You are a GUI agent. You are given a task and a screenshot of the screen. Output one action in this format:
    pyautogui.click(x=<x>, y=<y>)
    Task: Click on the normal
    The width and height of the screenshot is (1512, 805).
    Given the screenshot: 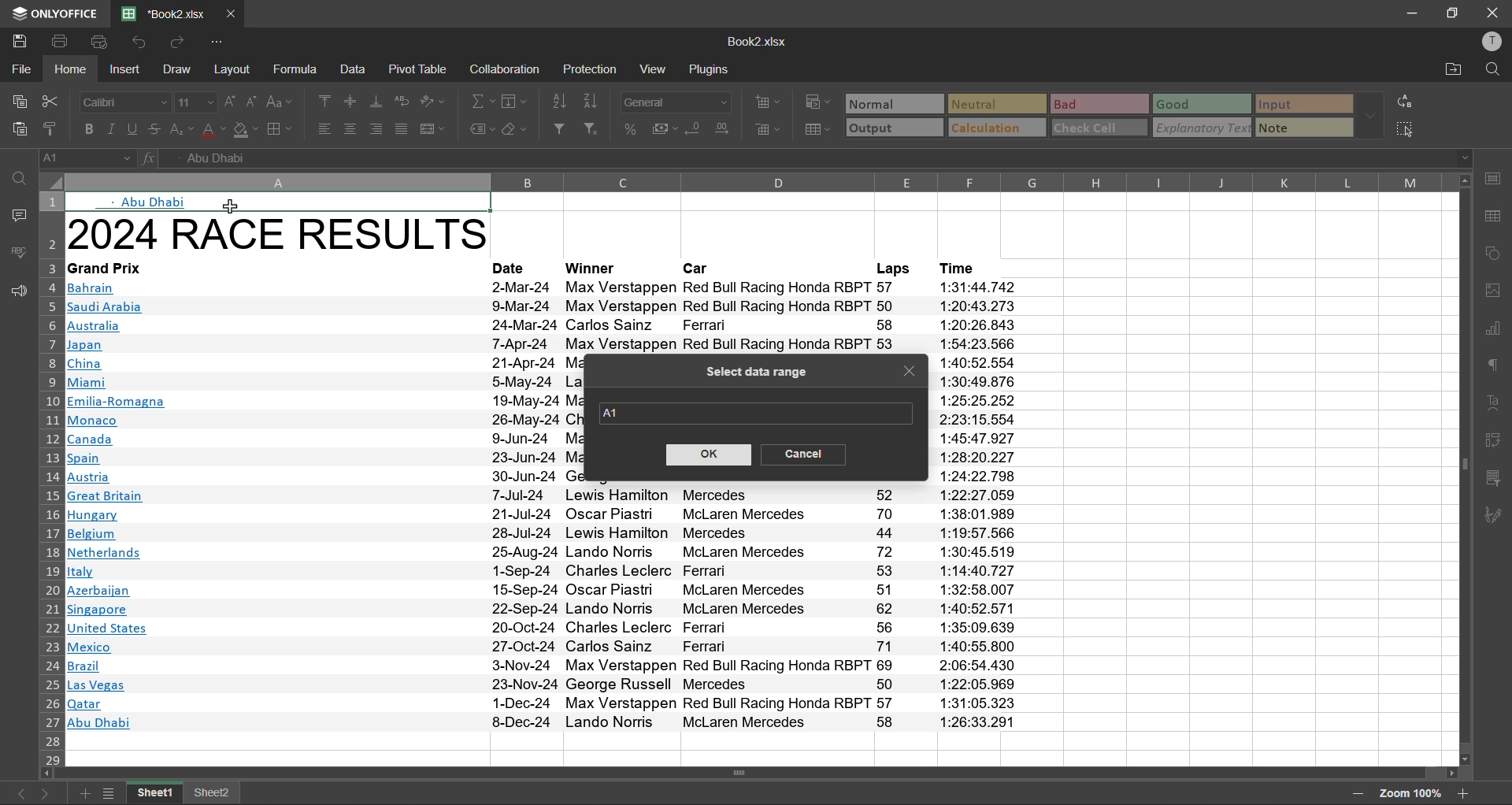 What is the action you would take?
    pyautogui.click(x=891, y=103)
    